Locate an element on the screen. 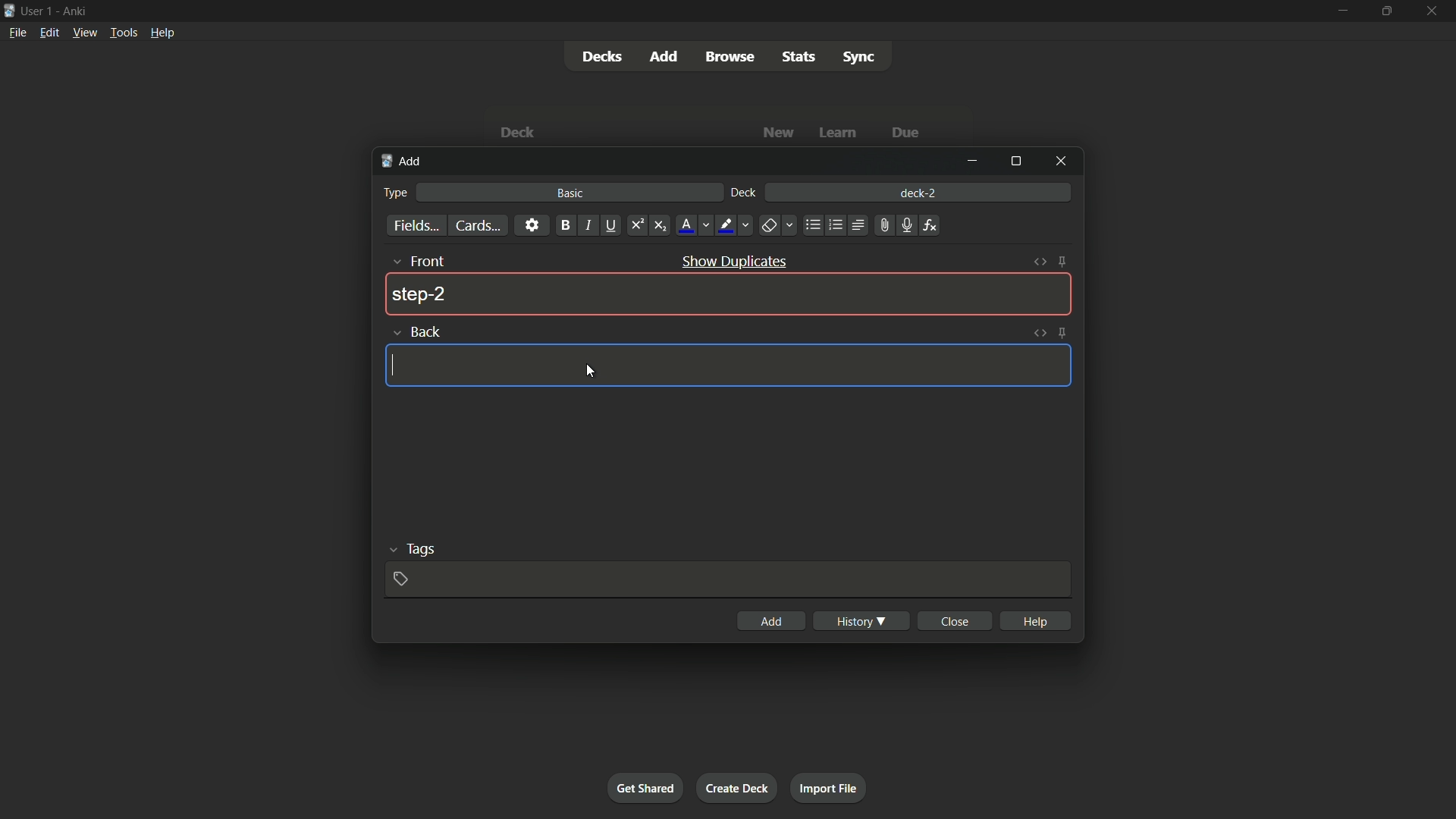 This screenshot has height=819, width=1456. view menu is located at coordinates (84, 33).